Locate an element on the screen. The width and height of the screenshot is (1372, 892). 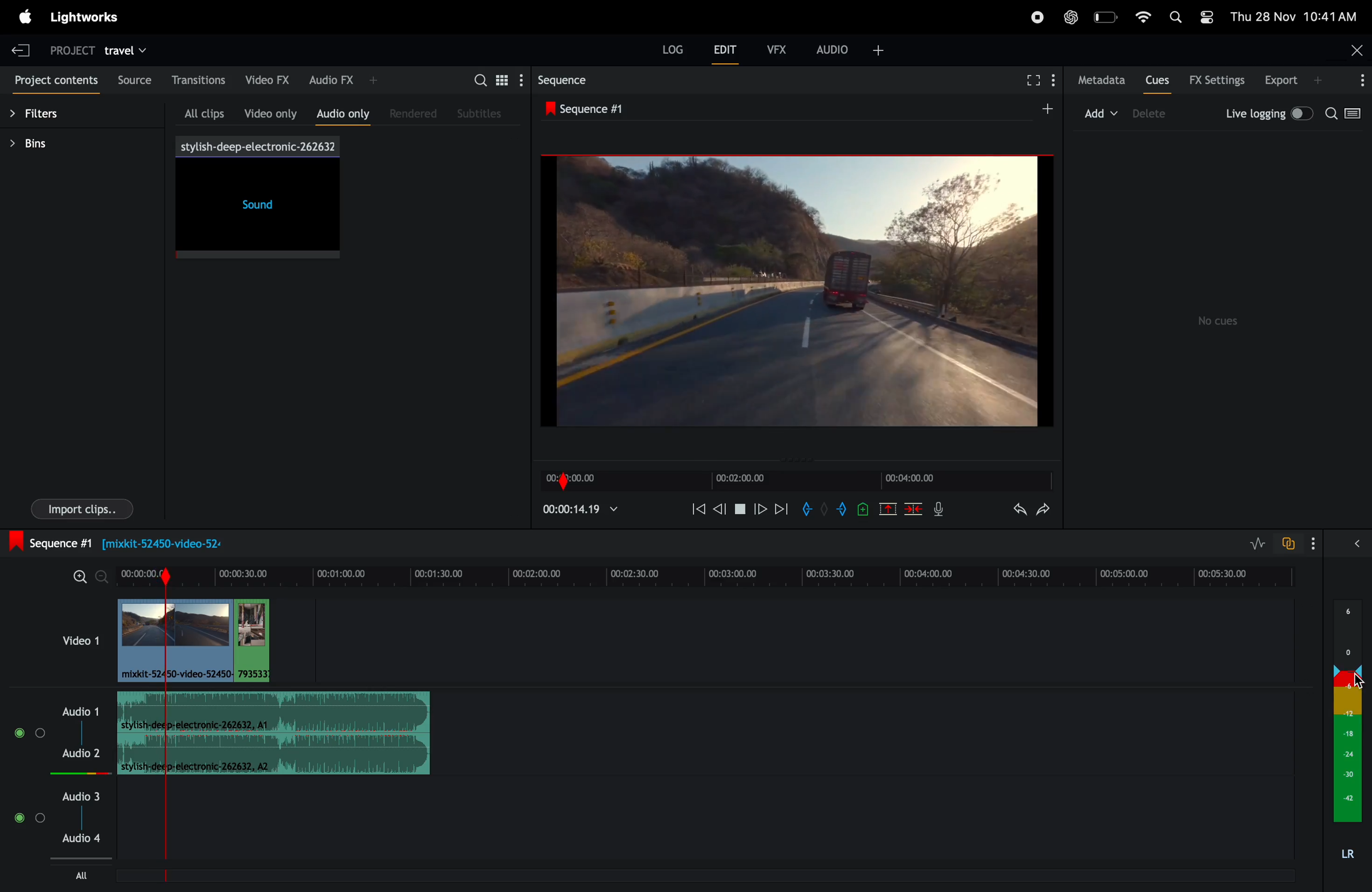
add in mark is located at coordinates (808, 509).